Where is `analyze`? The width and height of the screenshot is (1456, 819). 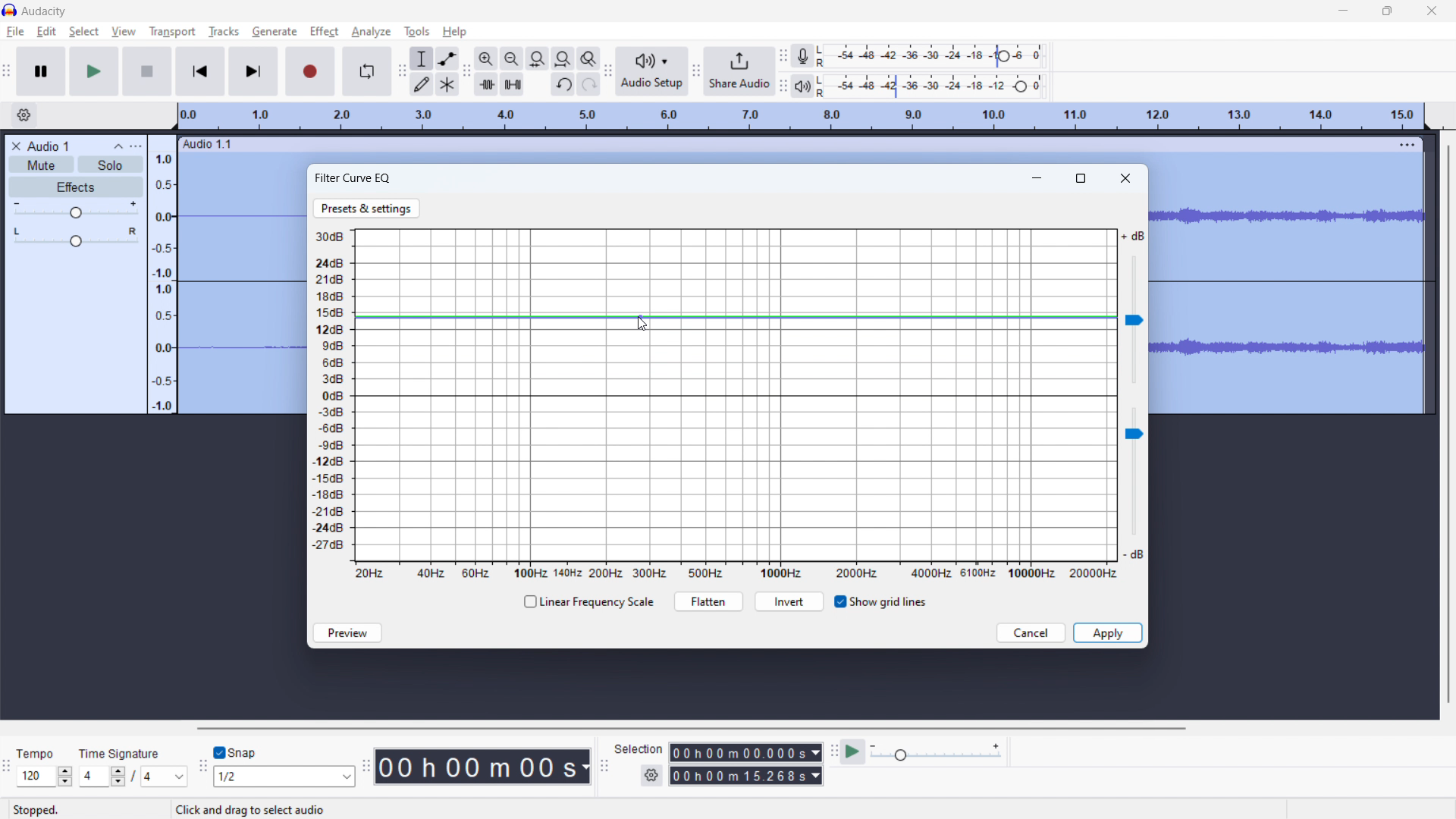 analyze is located at coordinates (371, 33).